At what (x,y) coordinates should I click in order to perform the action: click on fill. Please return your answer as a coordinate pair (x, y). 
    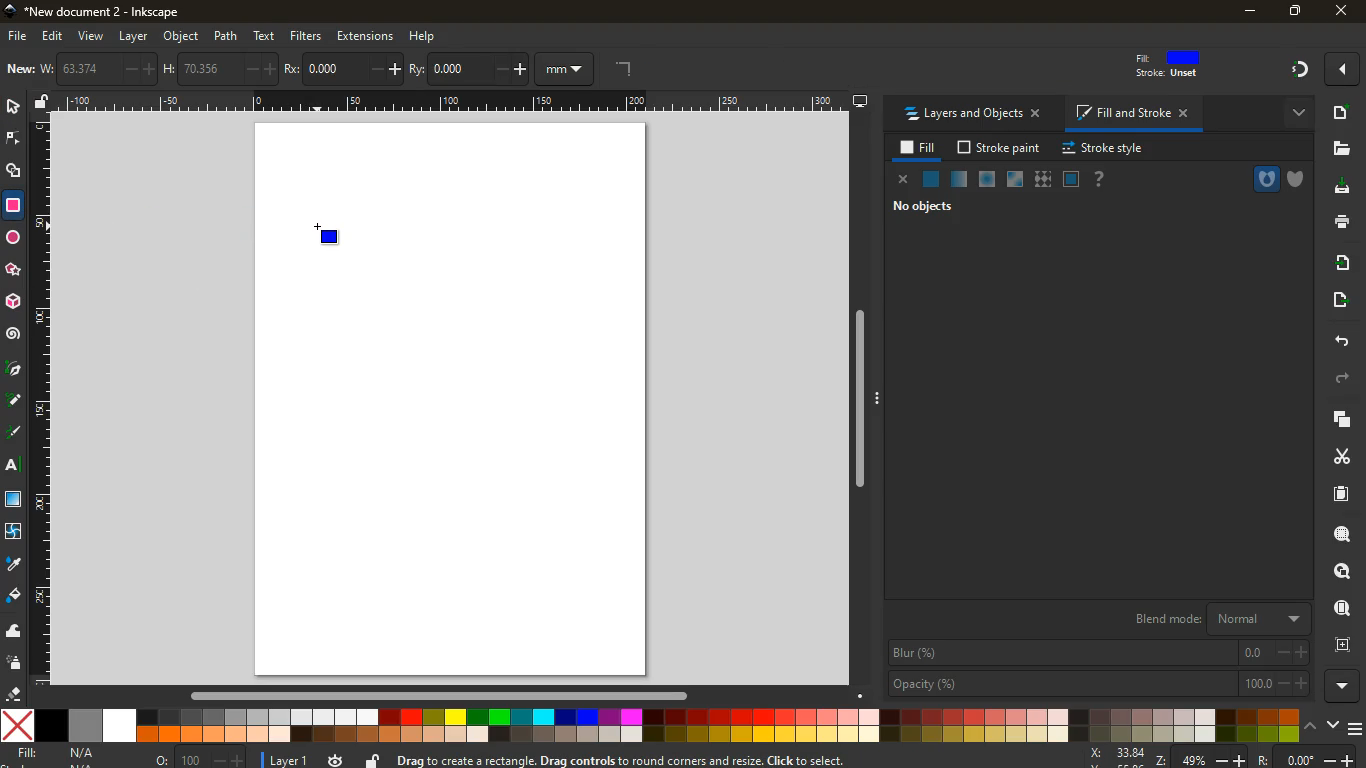
    Looking at the image, I should click on (14, 594).